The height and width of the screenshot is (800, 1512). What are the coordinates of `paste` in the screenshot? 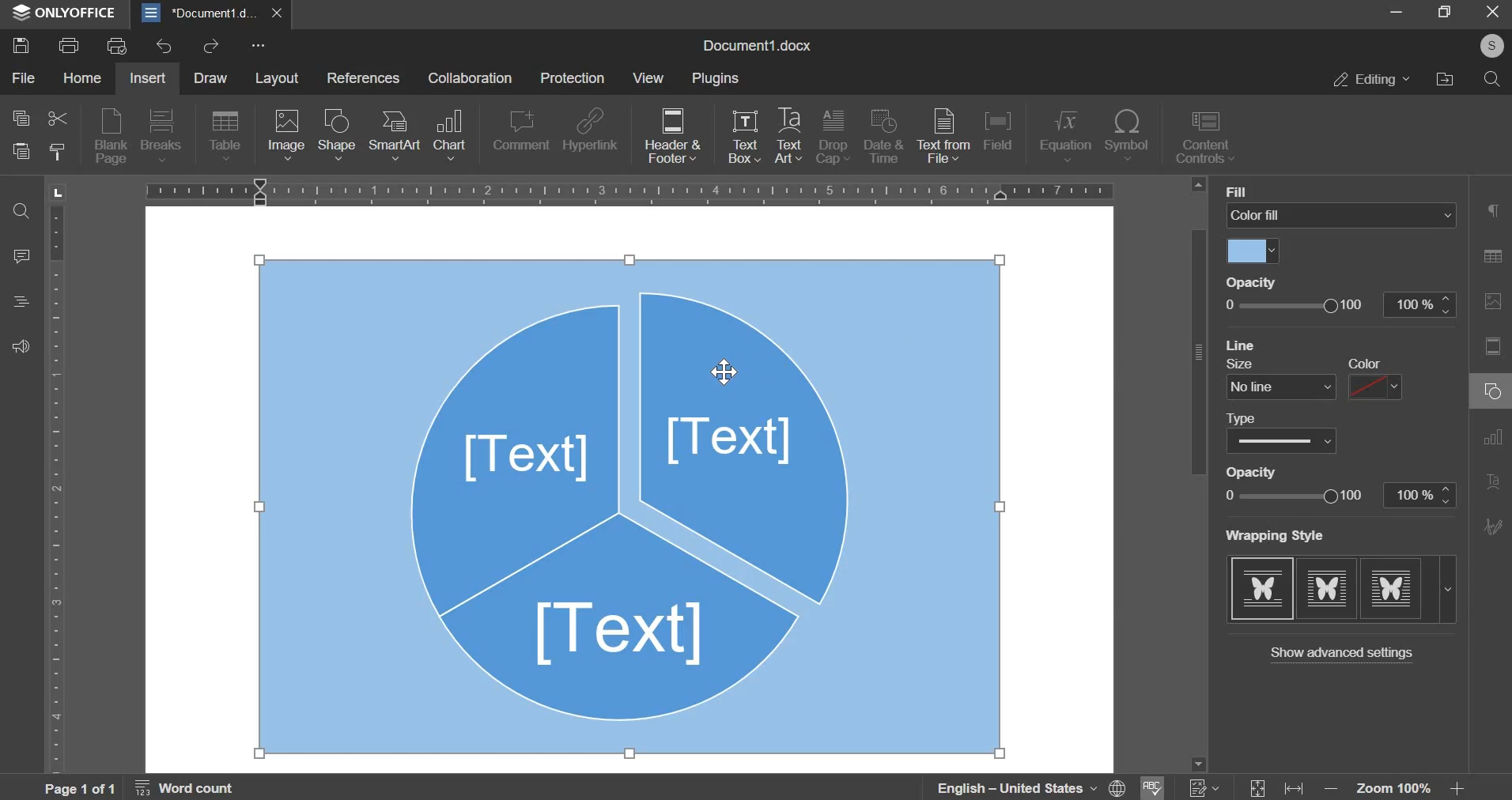 It's located at (21, 155).